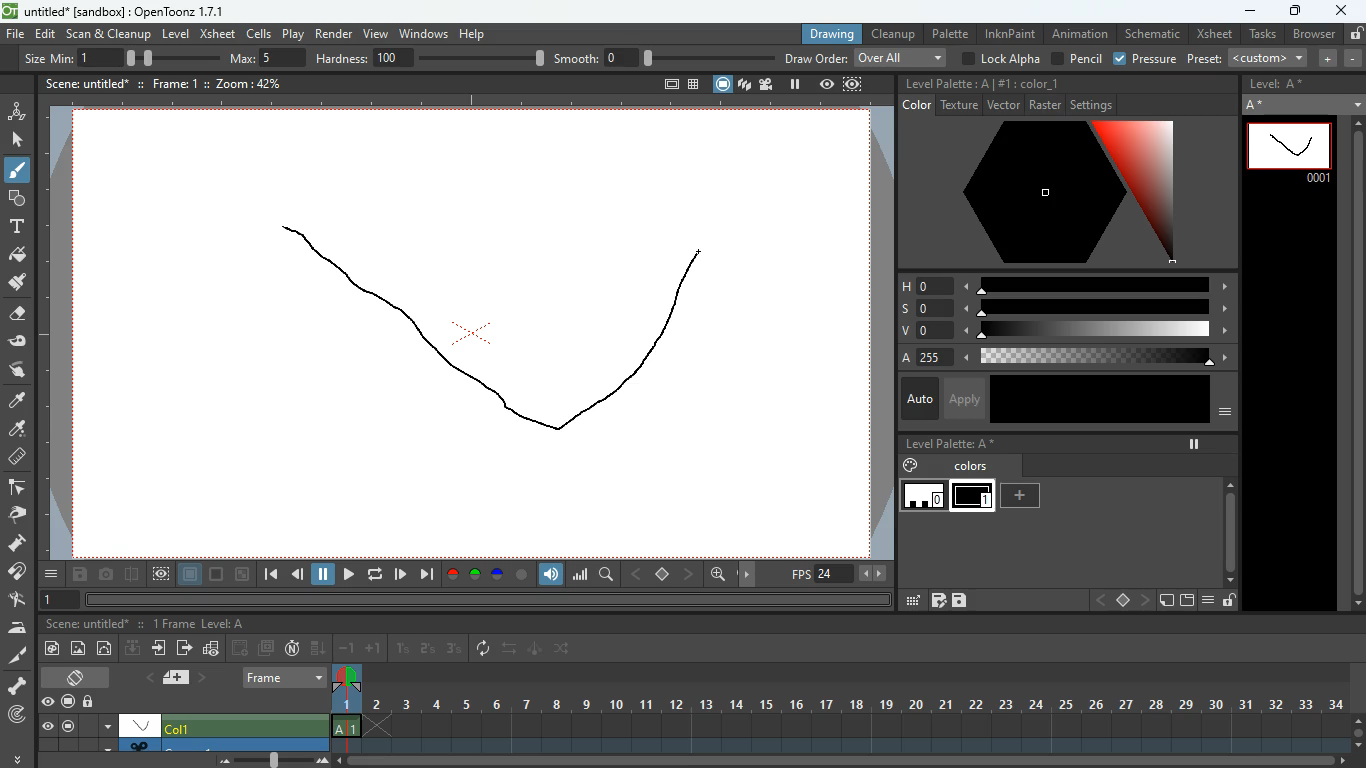 This screenshot has width=1366, height=768. Describe the element at coordinates (723, 84) in the screenshot. I see `screen` at that location.